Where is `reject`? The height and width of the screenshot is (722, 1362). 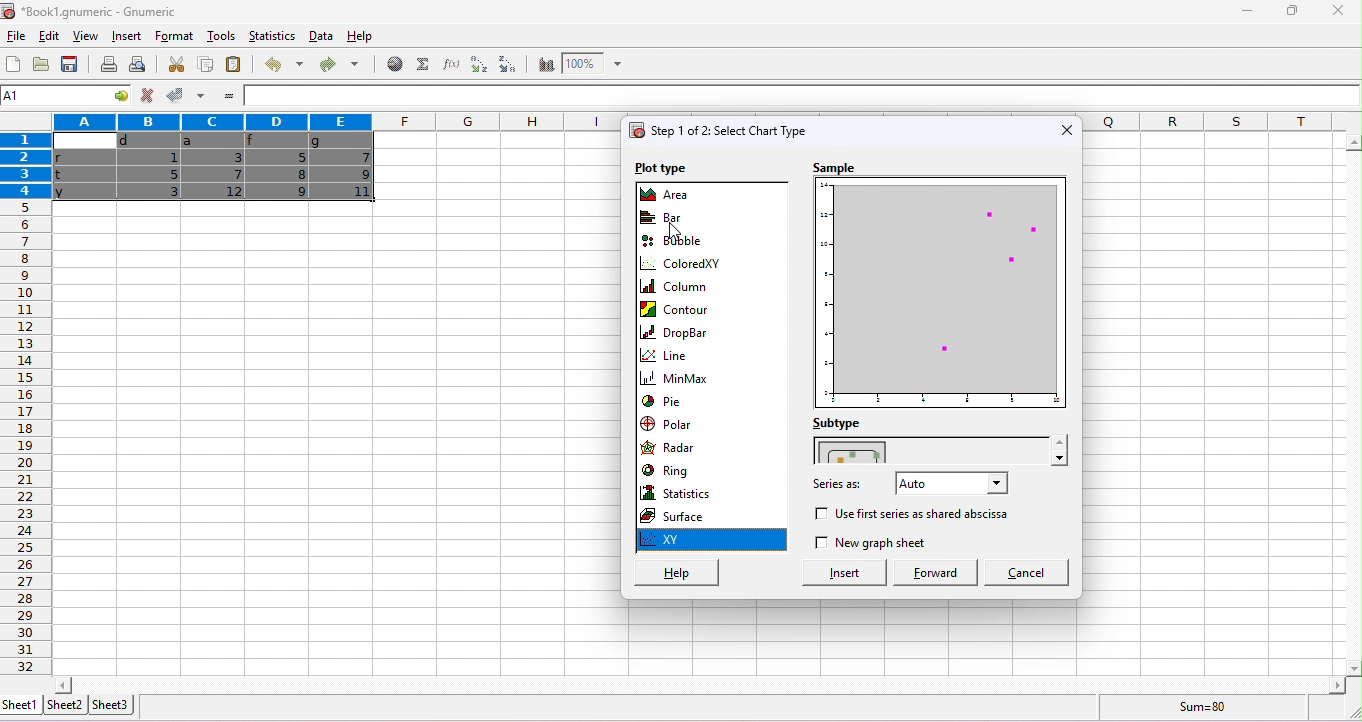 reject is located at coordinates (146, 95).